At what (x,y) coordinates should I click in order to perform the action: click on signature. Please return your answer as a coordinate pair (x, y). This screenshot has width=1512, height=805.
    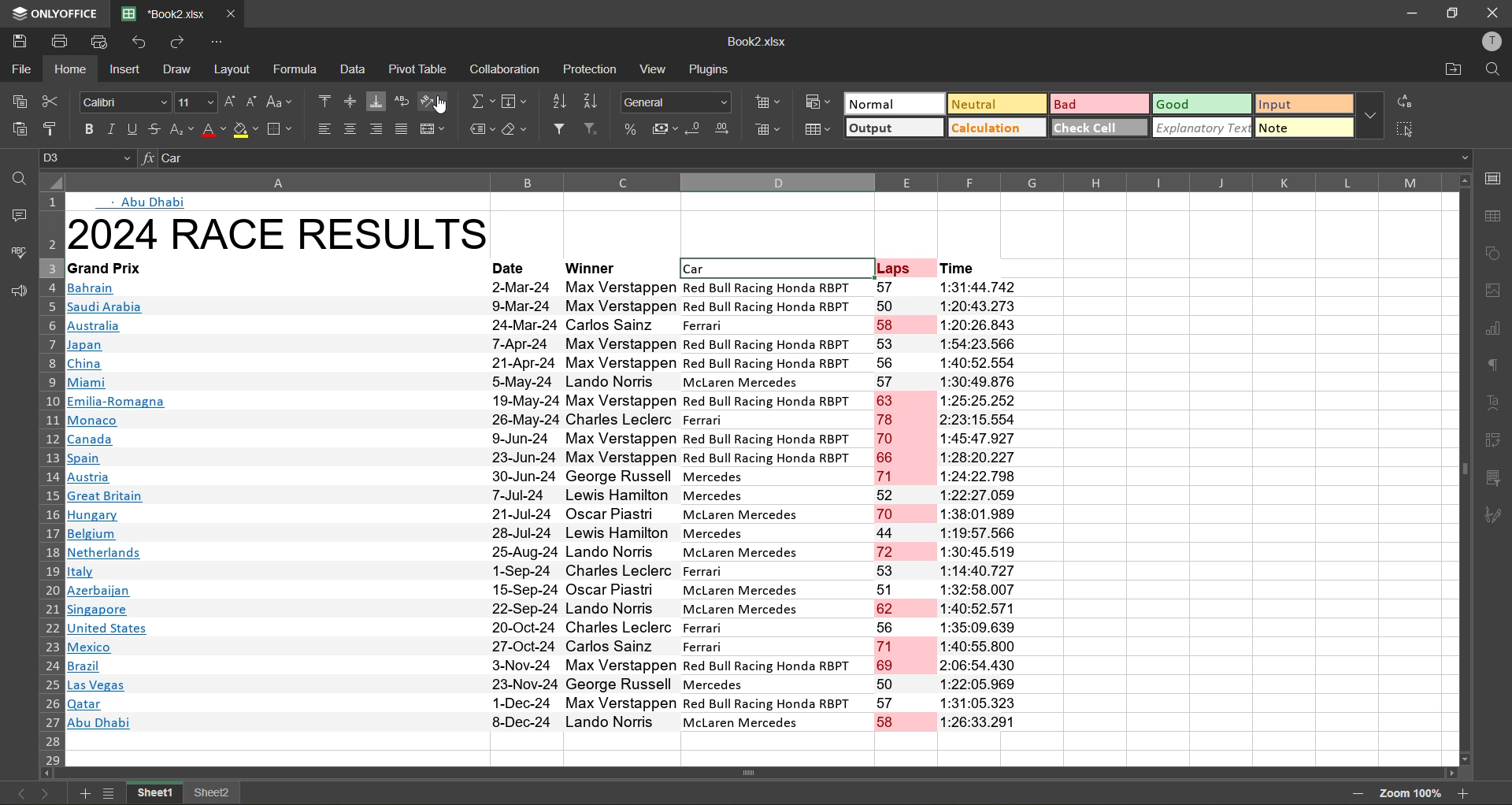
    Looking at the image, I should click on (1492, 517).